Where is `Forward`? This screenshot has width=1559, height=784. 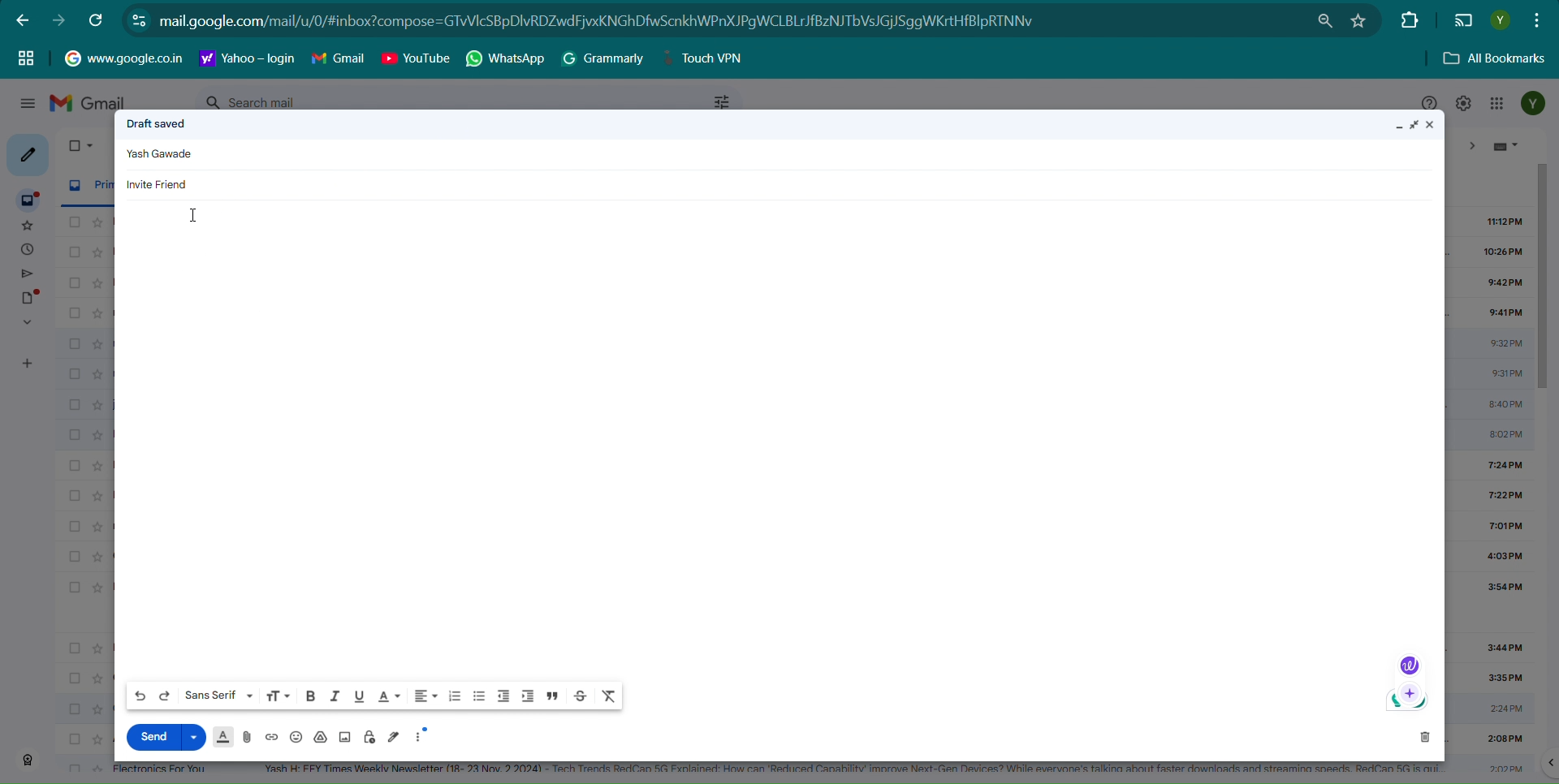 Forward is located at coordinates (58, 20).